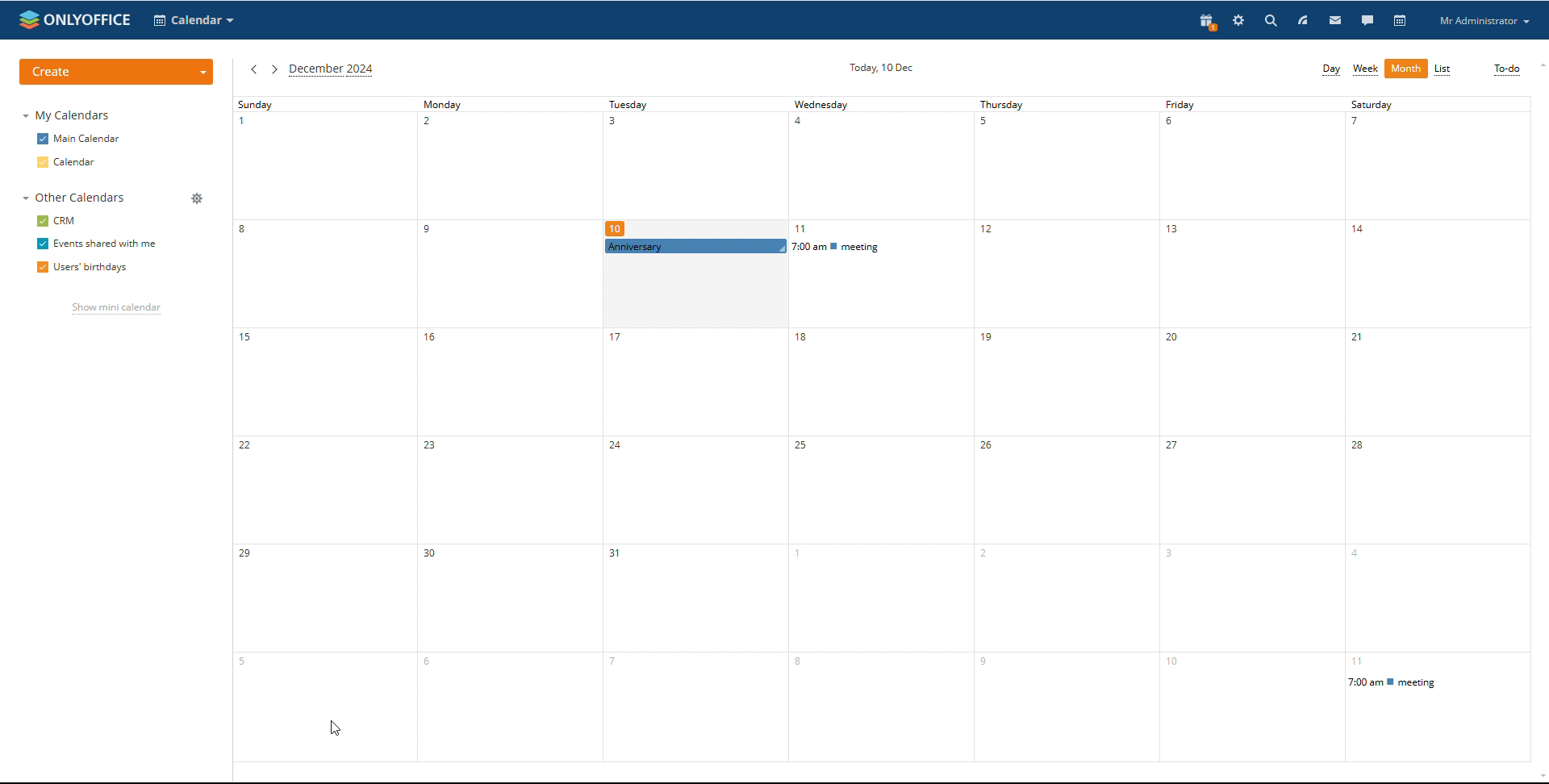 The image size is (1549, 784). What do you see at coordinates (1443, 69) in the screenshot?
I see `list view` at bounding box center [1443, 69].